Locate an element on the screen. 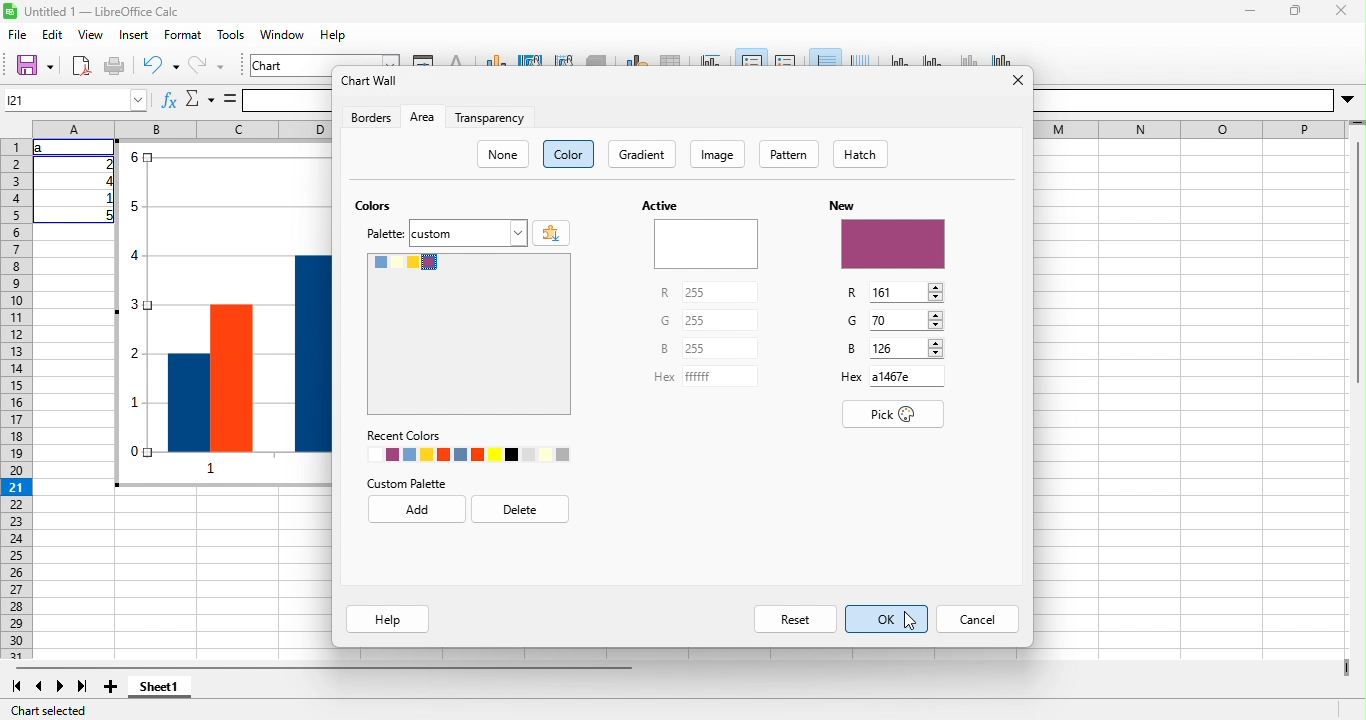  window is located at coordinates (283, 34).